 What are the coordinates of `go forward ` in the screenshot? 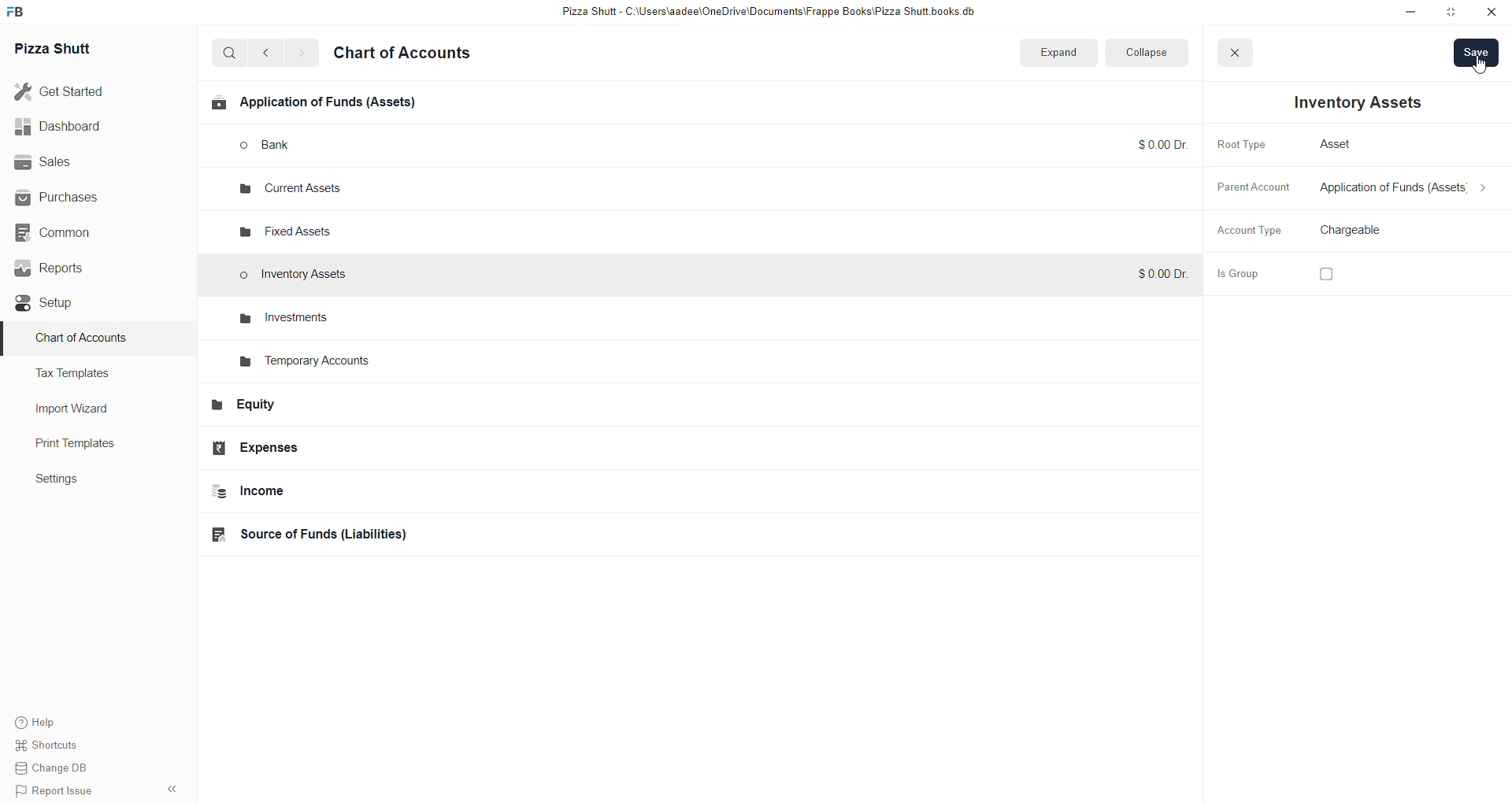 It's located at (301, 54).